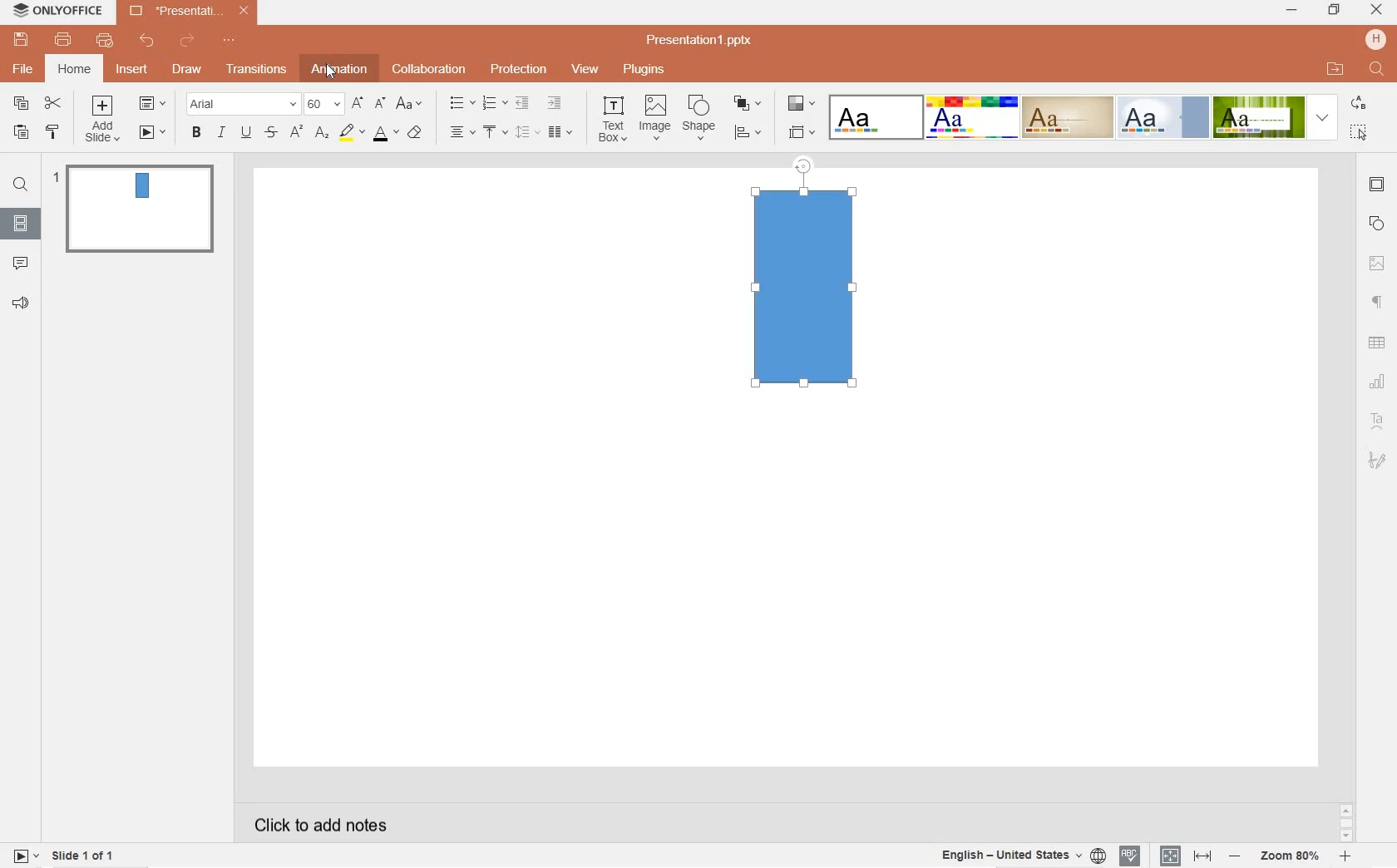  What do you see at coordinates (417, 133) in the screenshot?
I see `clear style` at bounding box center [417, 133].